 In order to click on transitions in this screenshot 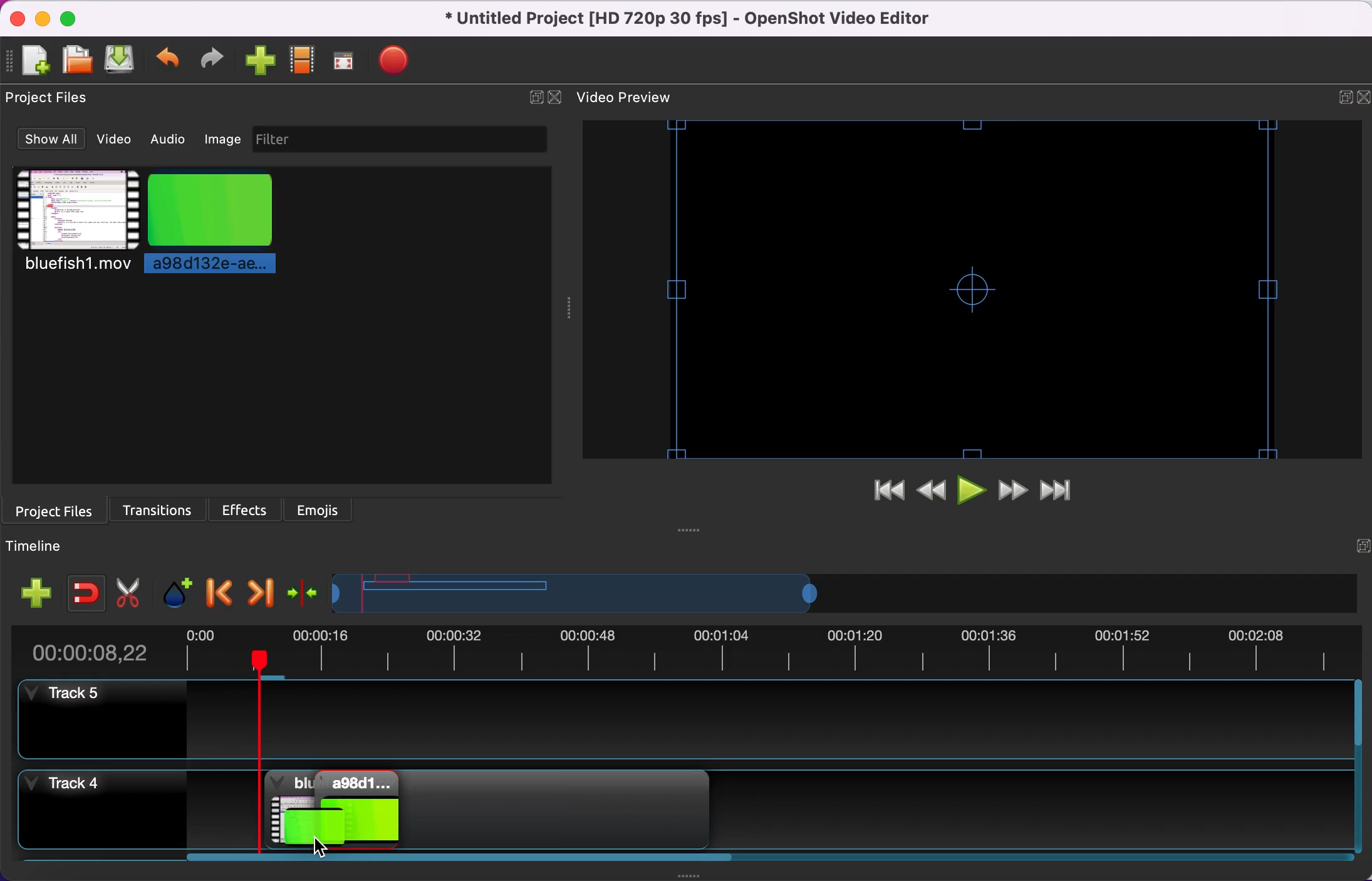, I will do `click(159, 508)`.